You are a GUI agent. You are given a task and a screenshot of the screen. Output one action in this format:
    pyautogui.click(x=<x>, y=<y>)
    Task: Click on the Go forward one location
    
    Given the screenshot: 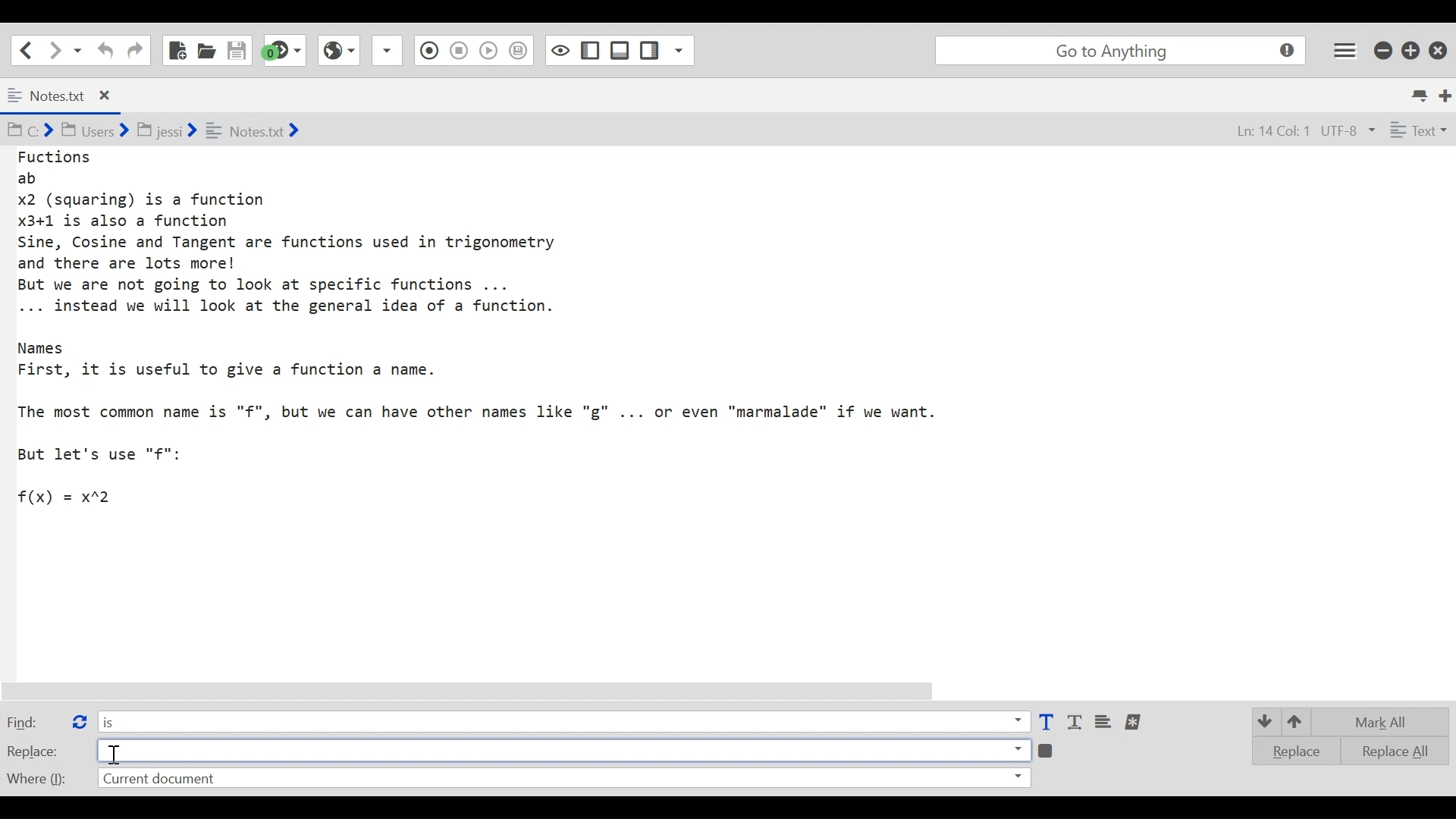 What is the action you would take?
    pyautogui.click(x=56, y=49)
    